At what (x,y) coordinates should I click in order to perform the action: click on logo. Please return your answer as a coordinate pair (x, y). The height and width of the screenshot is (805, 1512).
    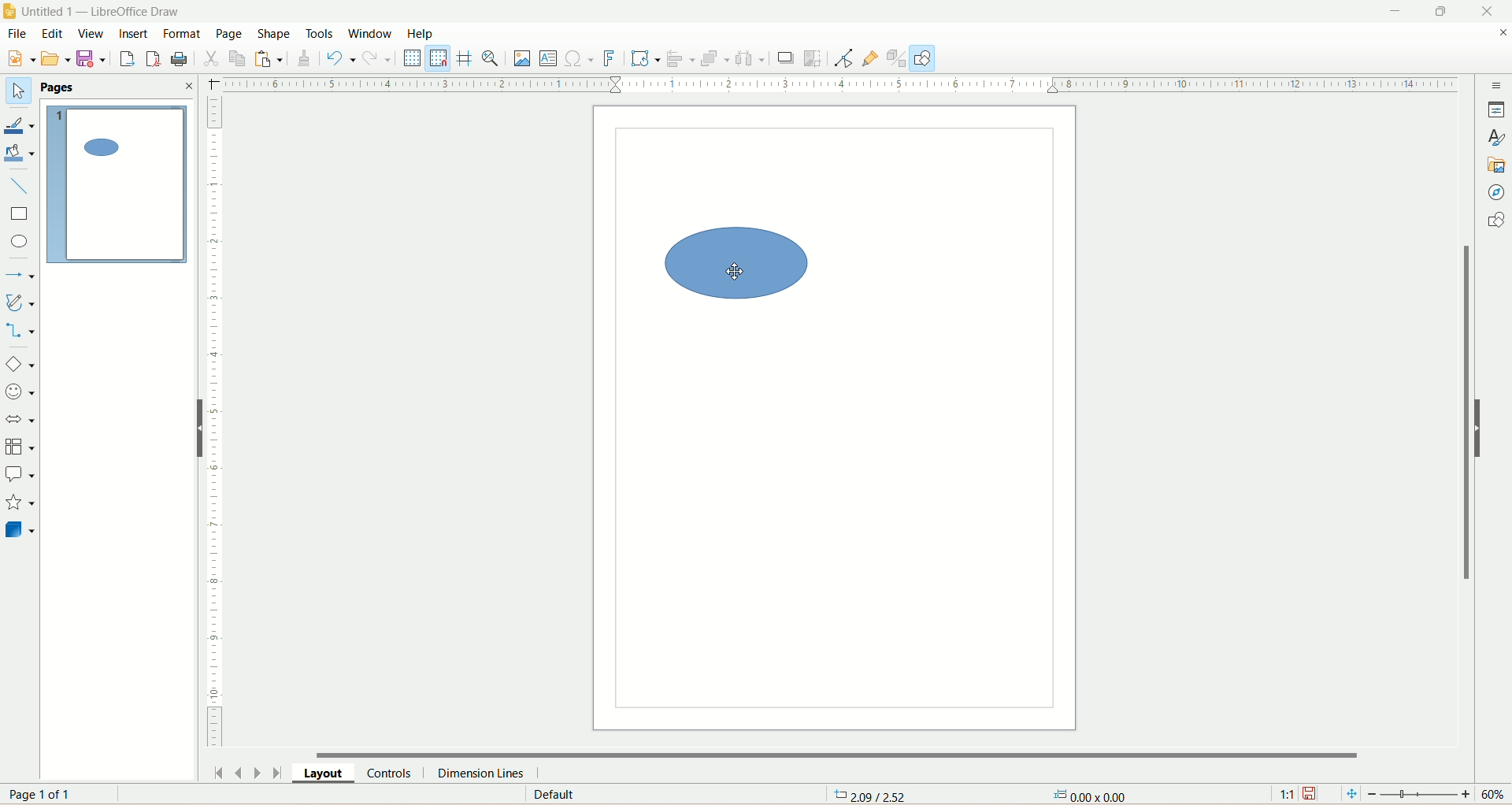
    Looking at the image, I should click on (10, 10).